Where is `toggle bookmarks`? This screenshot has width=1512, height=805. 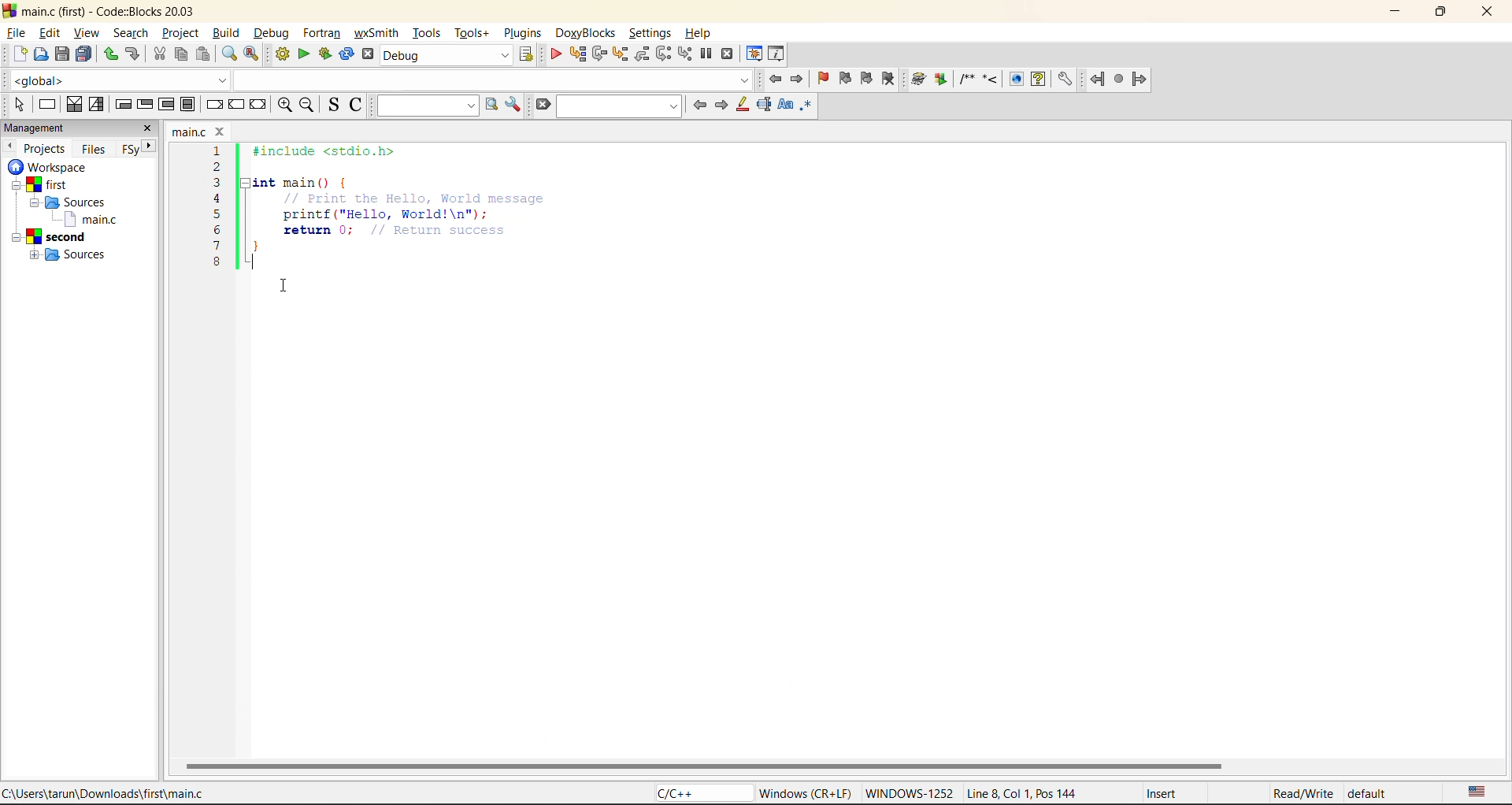
toggle bookmarks is located at coordinates (822, 78).